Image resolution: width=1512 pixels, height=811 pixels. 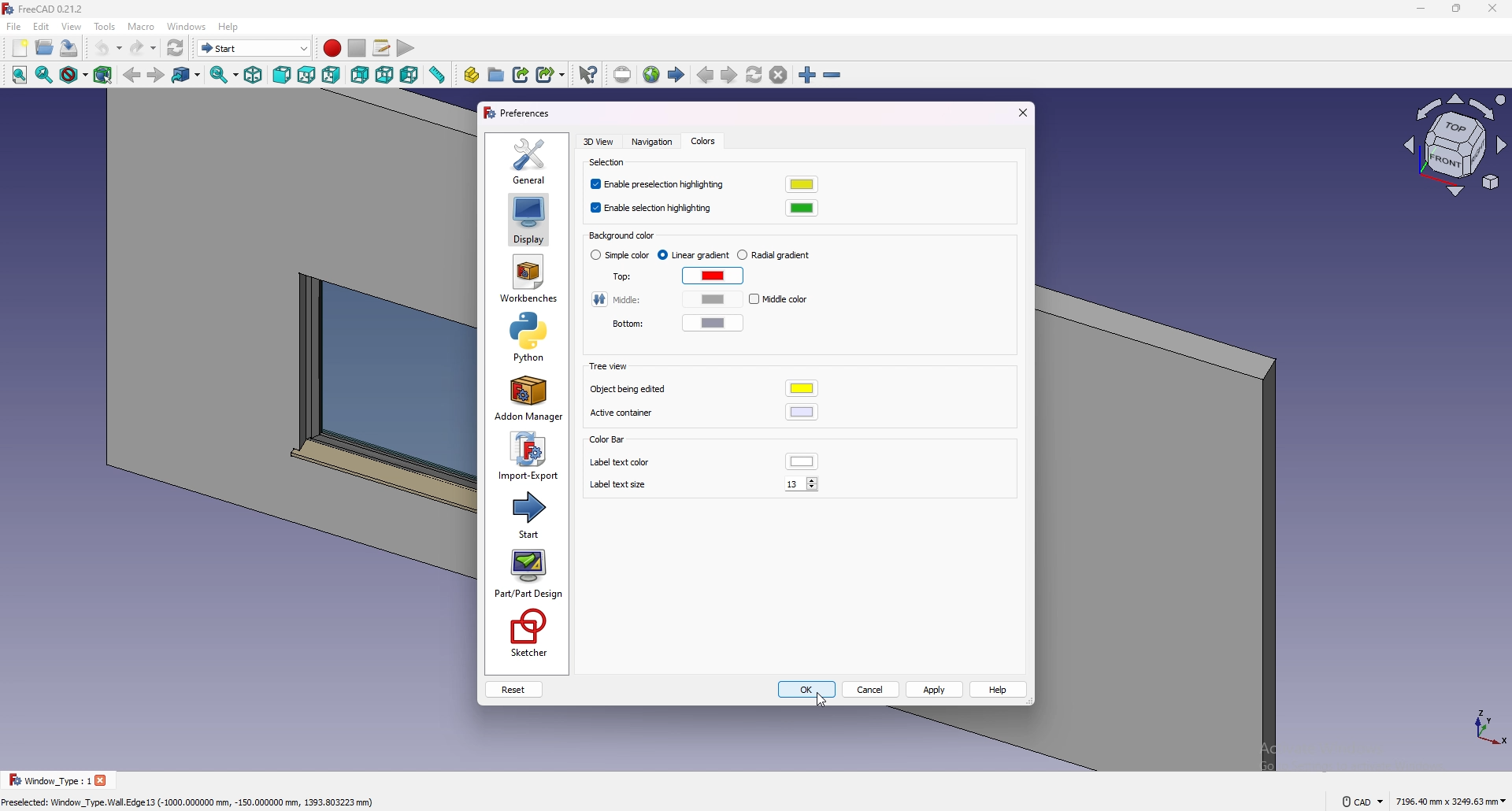 I want to click on enable selection highlighting, so click(x=654, y=209).